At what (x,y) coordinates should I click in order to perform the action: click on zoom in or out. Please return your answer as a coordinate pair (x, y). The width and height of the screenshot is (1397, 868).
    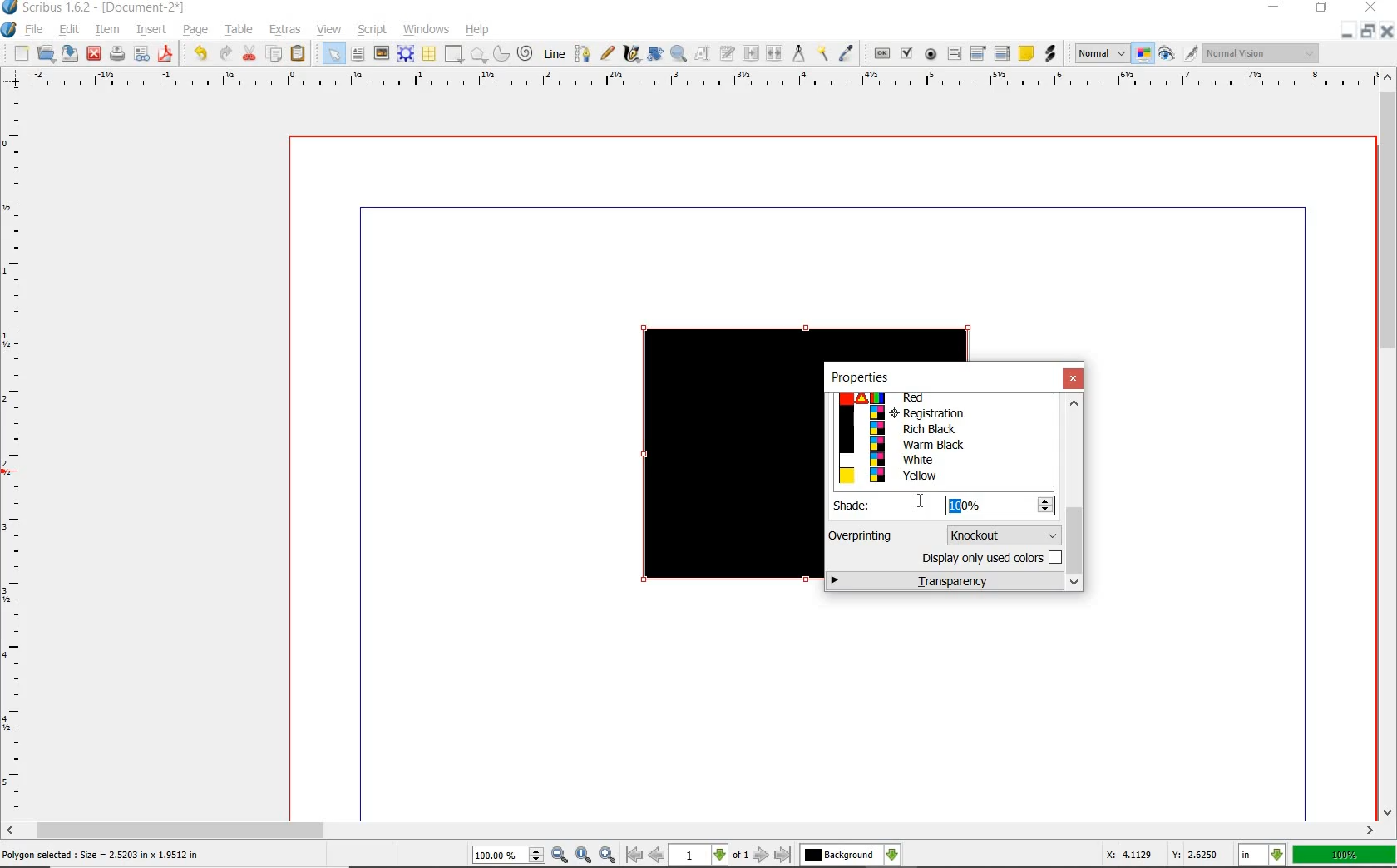
    Looking at the image, I should click on (679, 53).